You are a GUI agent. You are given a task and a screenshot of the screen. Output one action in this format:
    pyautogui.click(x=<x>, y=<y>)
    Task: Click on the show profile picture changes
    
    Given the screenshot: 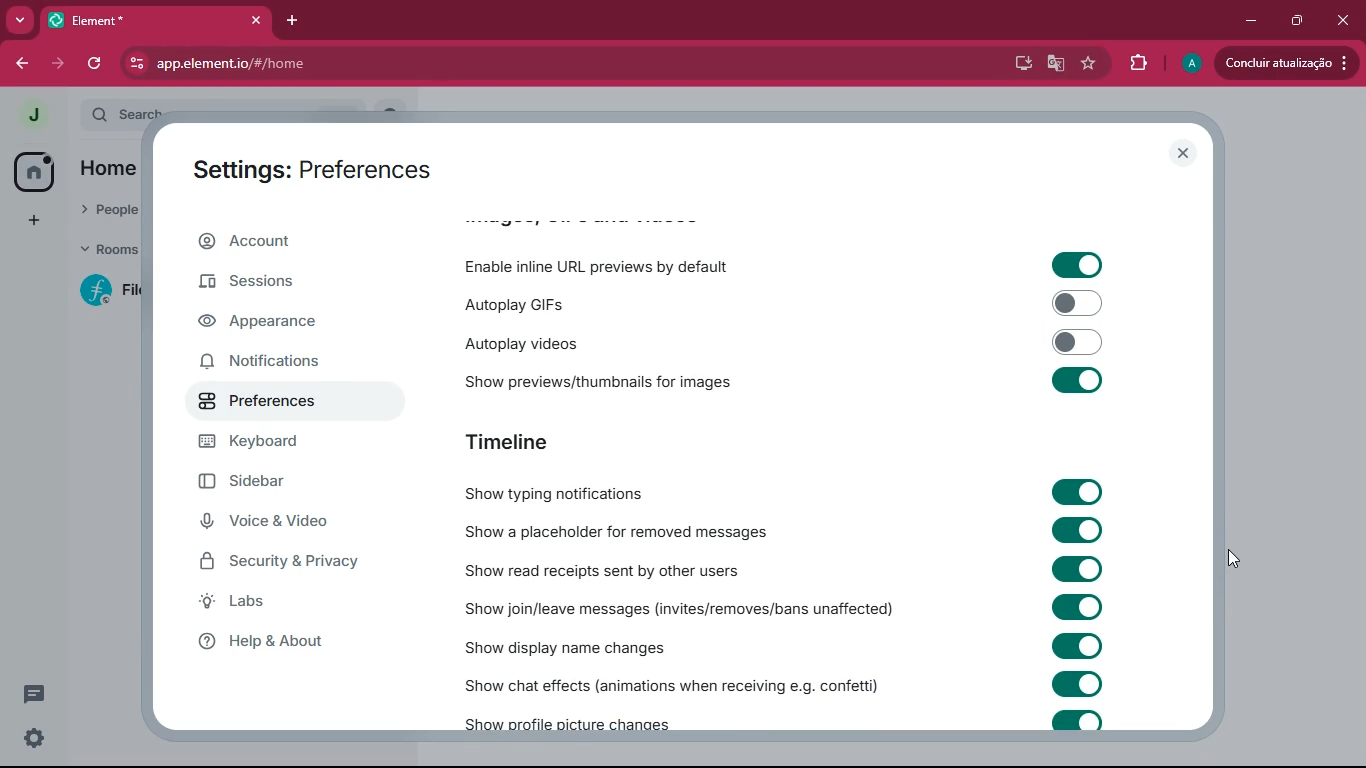 What is the action you would take?
    pyautogui.click(x=569, y=719)
    